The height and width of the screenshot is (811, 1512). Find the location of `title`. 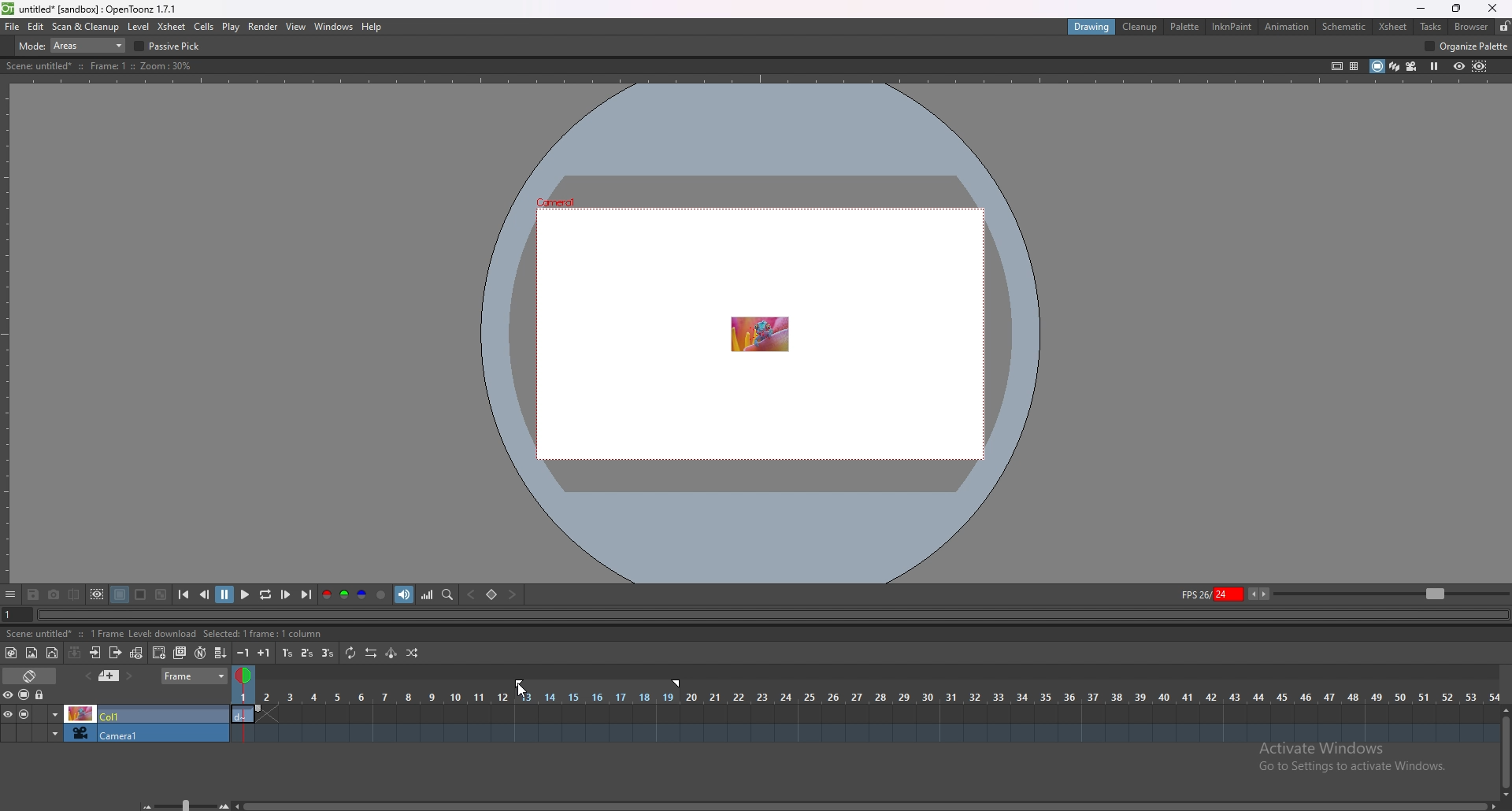

title is located at coordinates (92, 9).